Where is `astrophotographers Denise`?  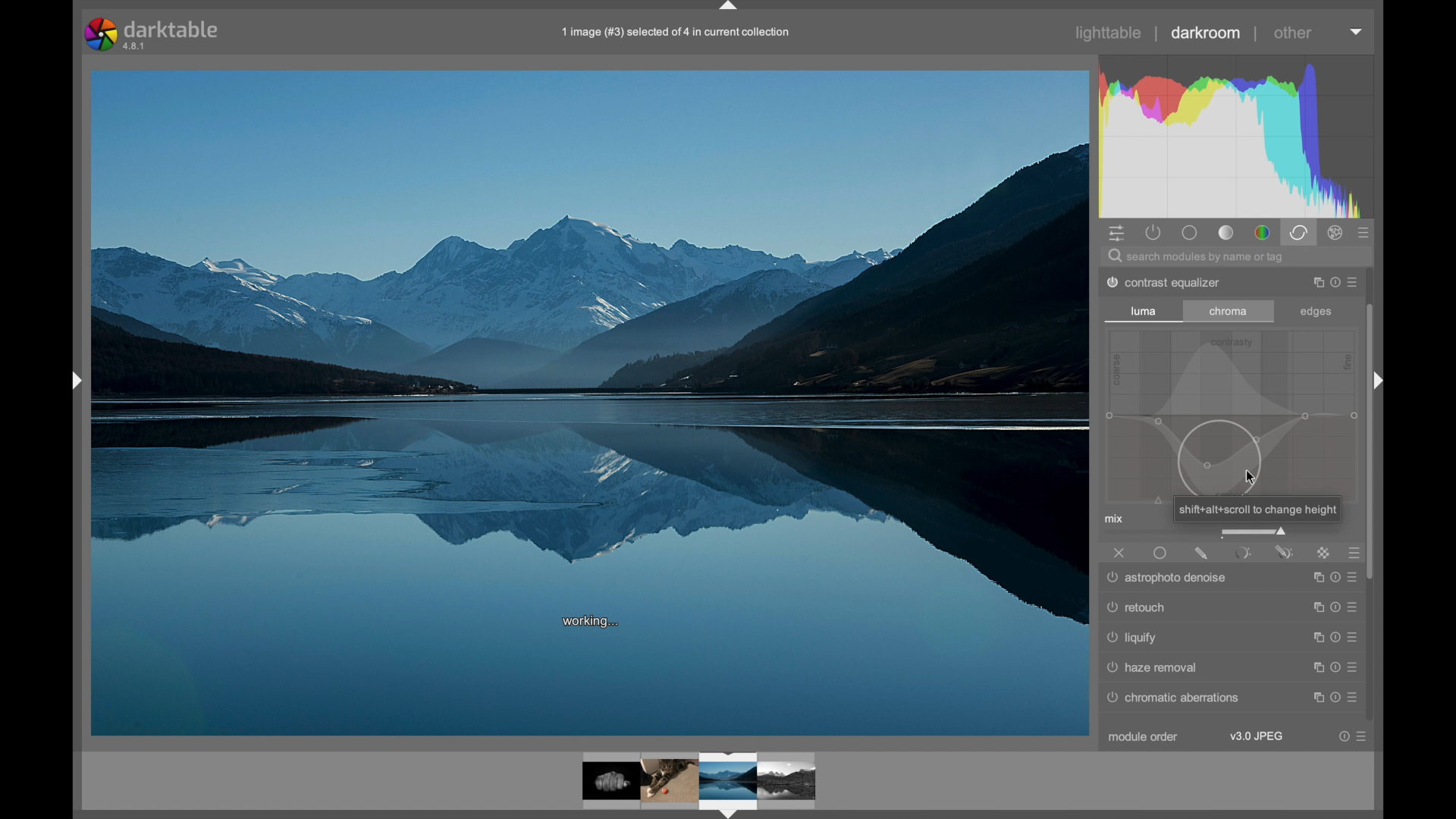
astrophotographers Denise is located at coordinates (1169, 579).